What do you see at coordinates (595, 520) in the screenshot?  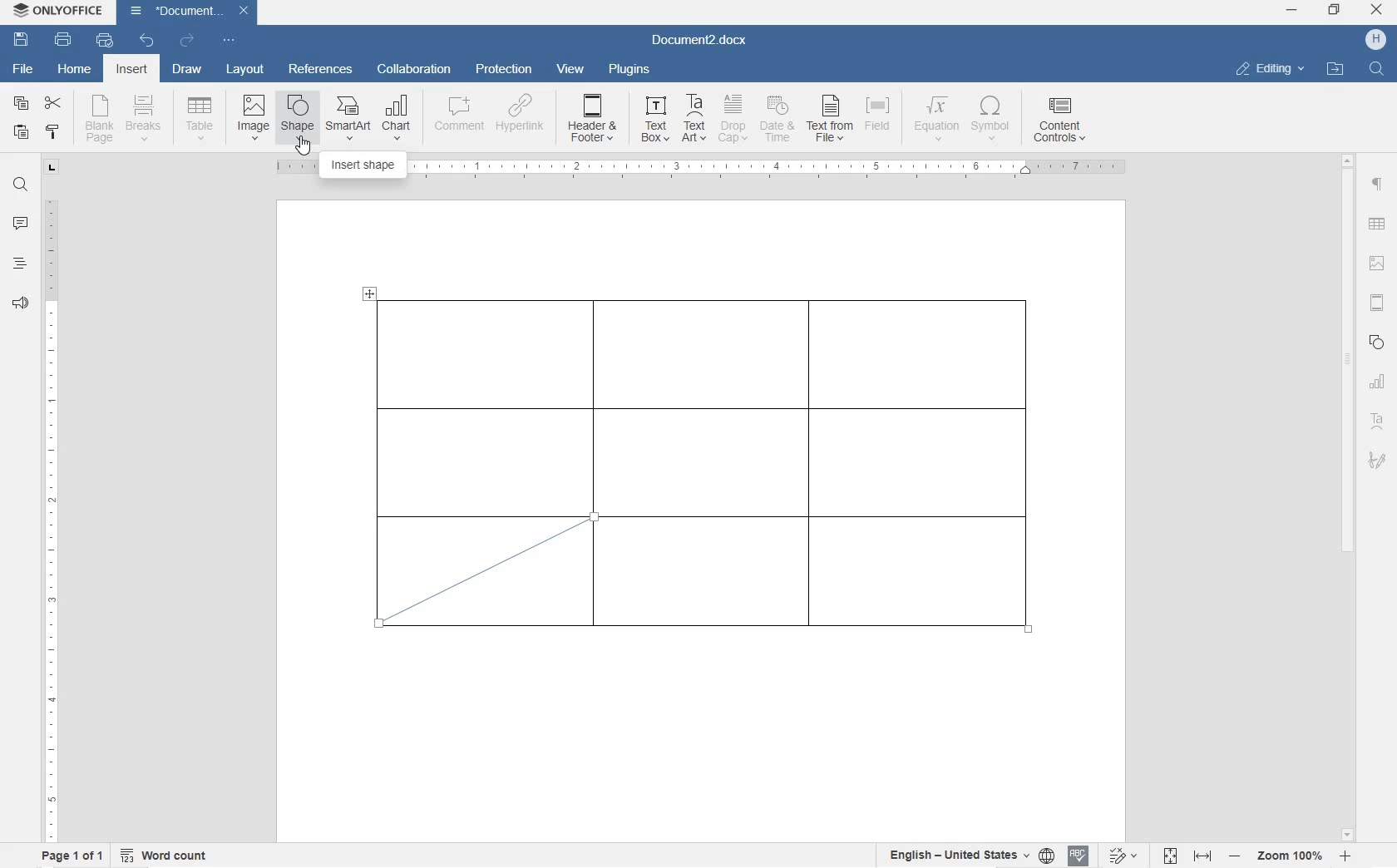 I see `line tool/cursor location` at bounding box center [595, 520].